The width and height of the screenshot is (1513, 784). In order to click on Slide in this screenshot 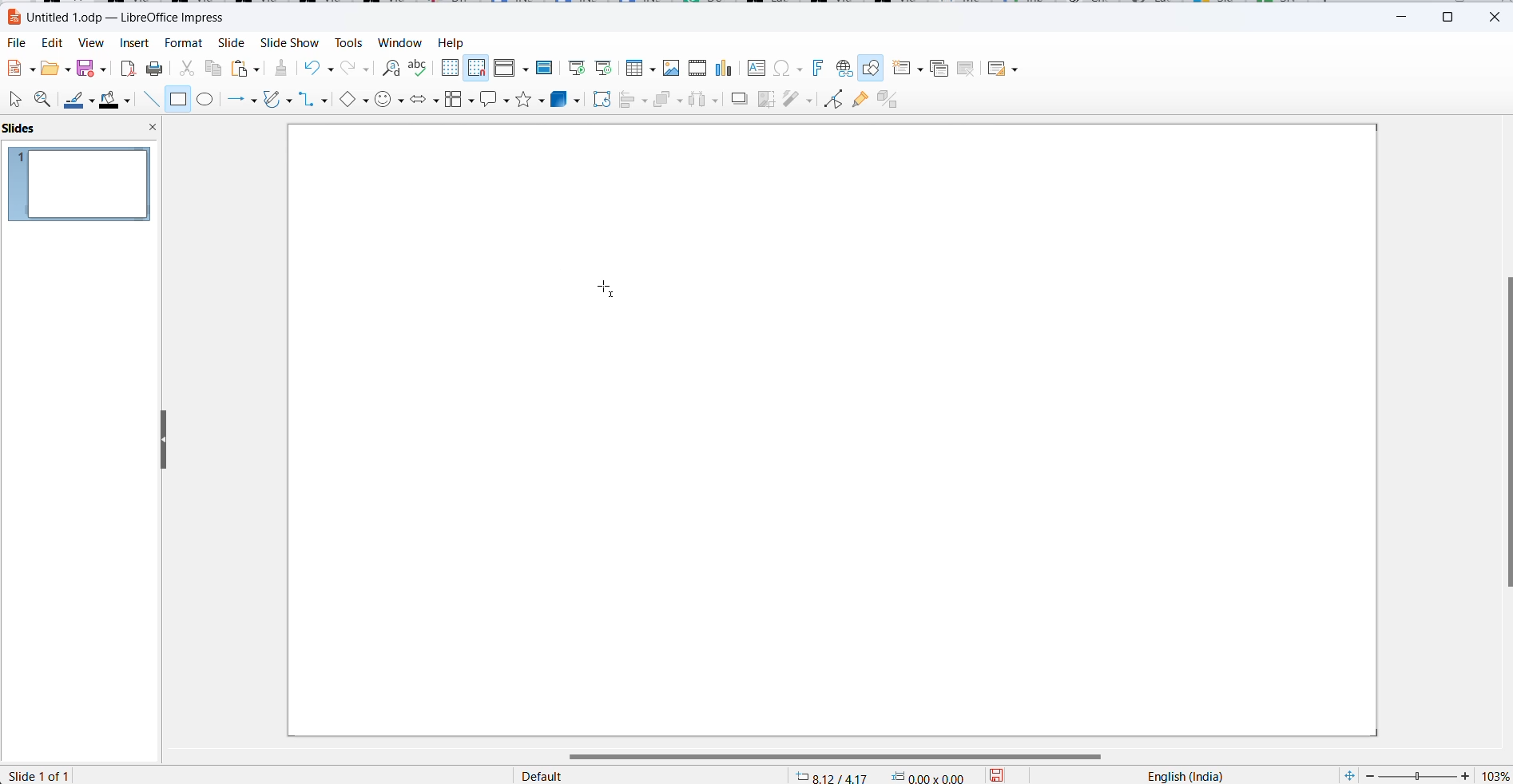, I will do `click(230, 44)`.